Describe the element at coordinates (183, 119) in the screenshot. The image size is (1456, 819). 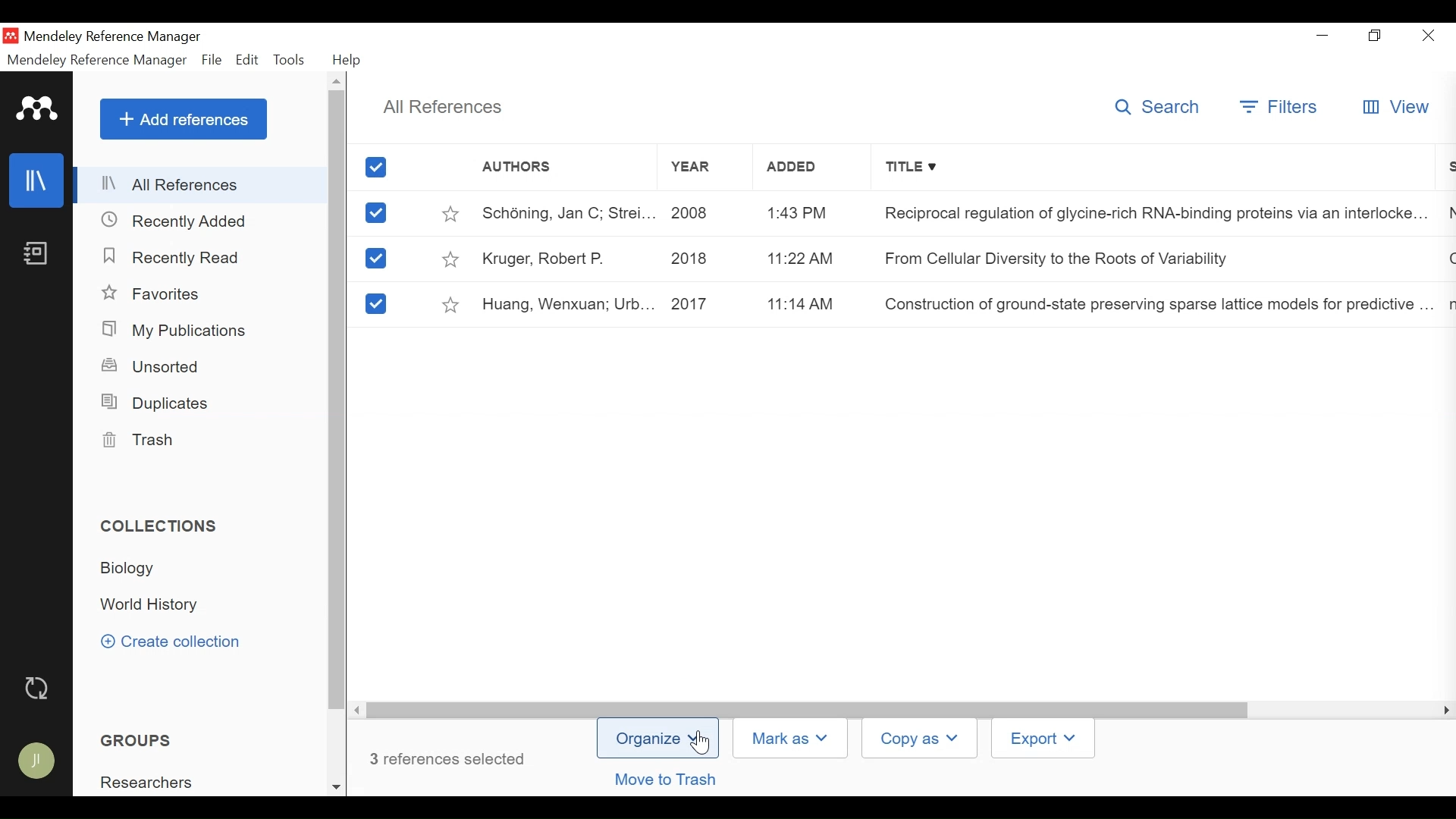
I see `Add Reference` at that location.